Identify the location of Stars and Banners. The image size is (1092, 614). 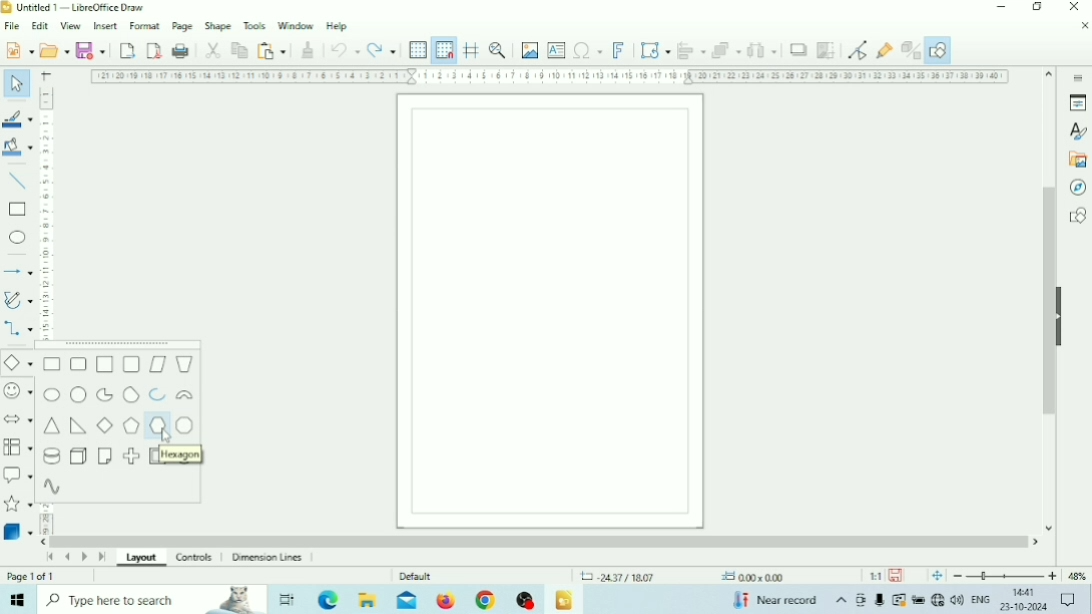
(19, 505).